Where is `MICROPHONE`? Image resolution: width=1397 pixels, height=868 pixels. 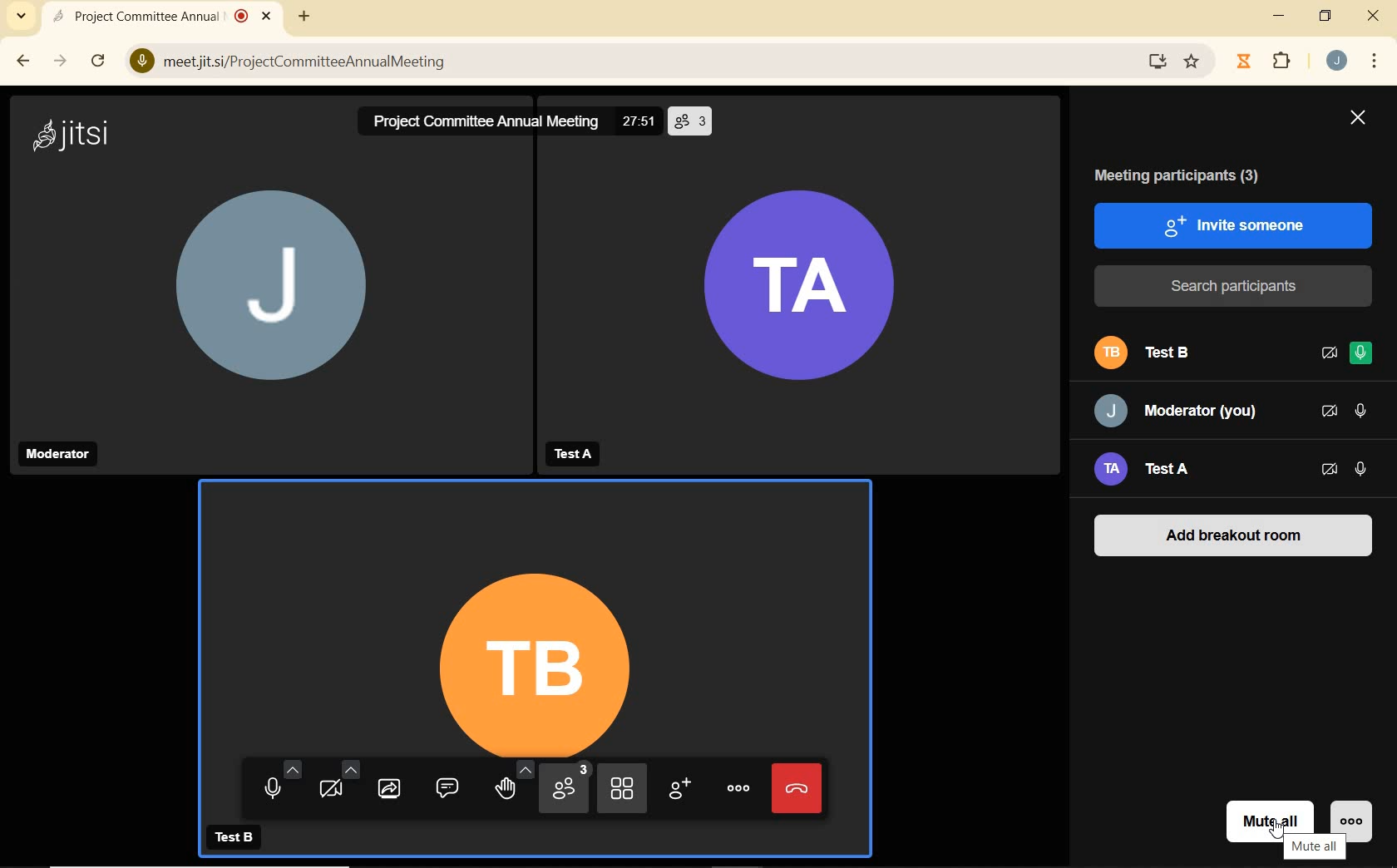
MICROPHONE is located at coordinates (1362, 355).